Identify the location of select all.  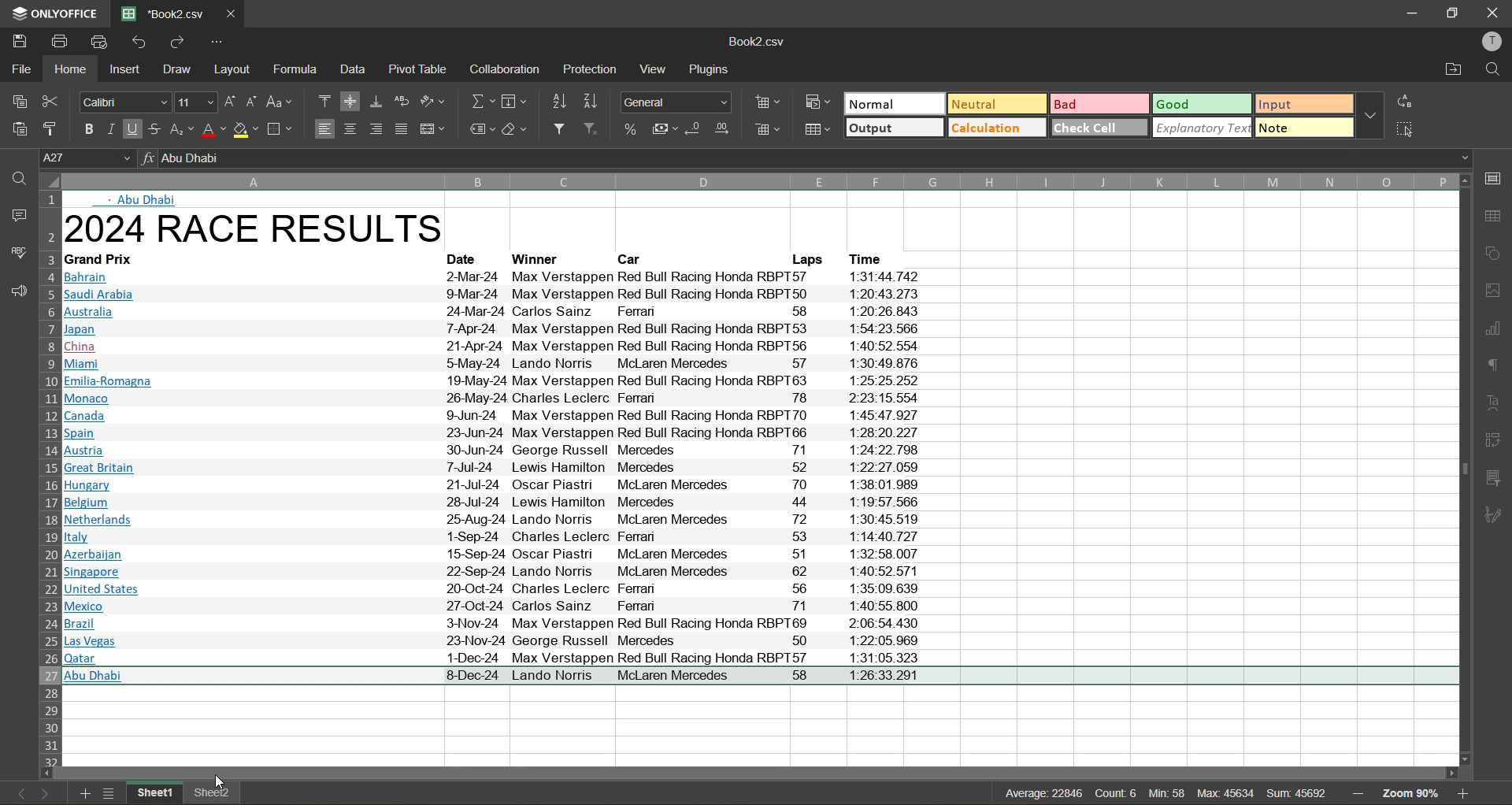
(1406, 128).